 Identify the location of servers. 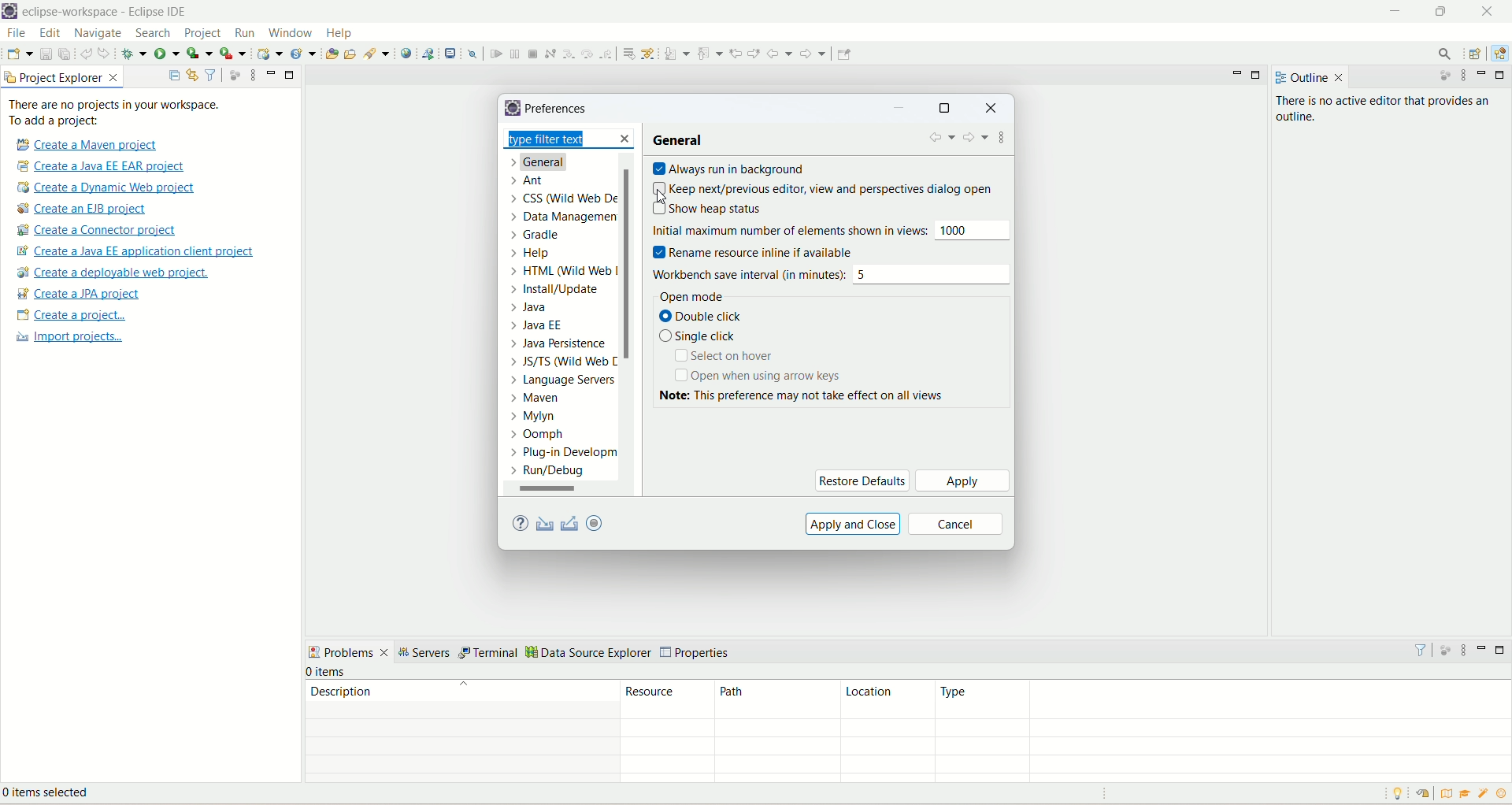
(427, 653).